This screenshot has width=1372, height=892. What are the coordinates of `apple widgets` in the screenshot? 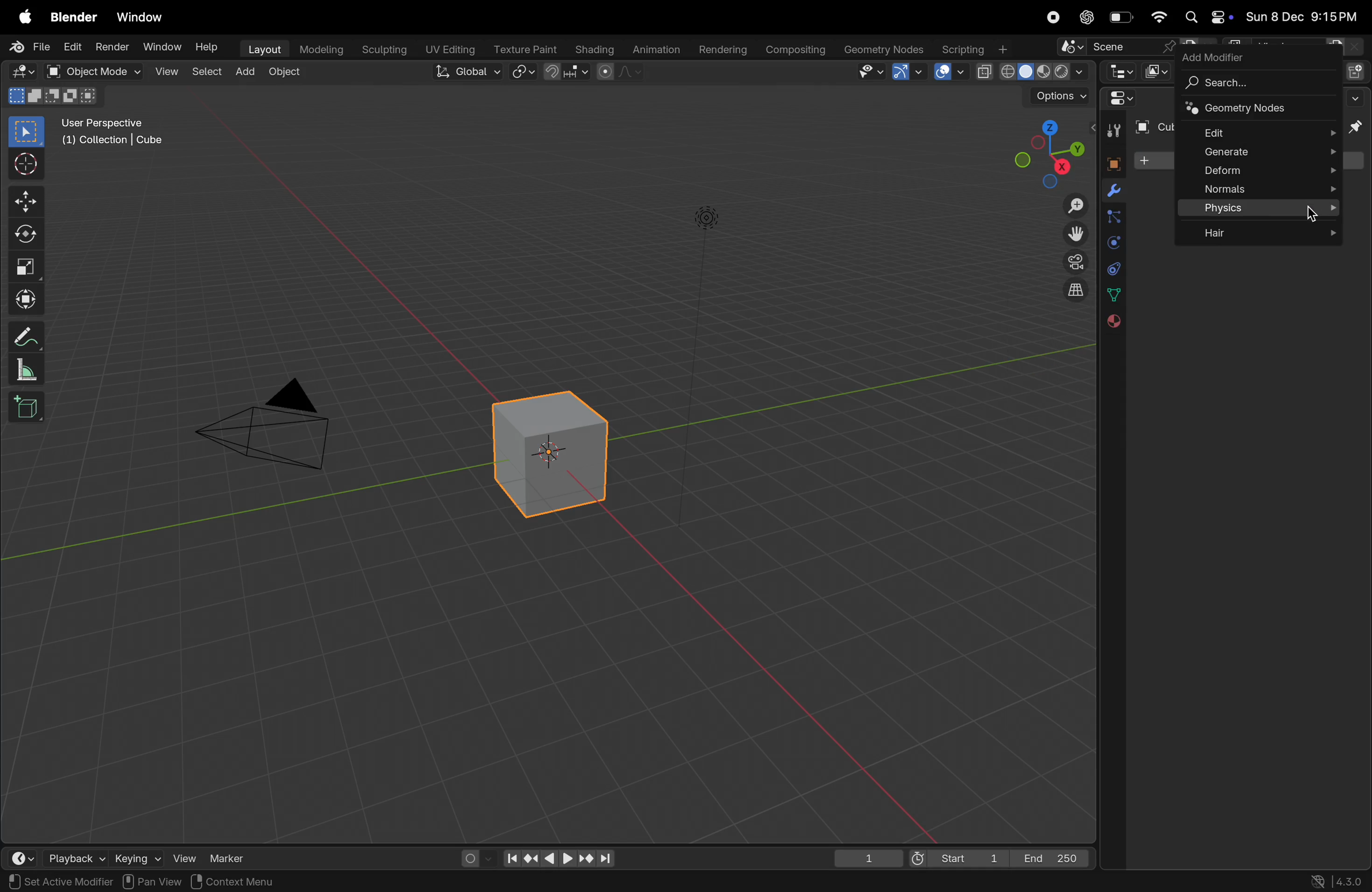 It's located at (1205, 18).